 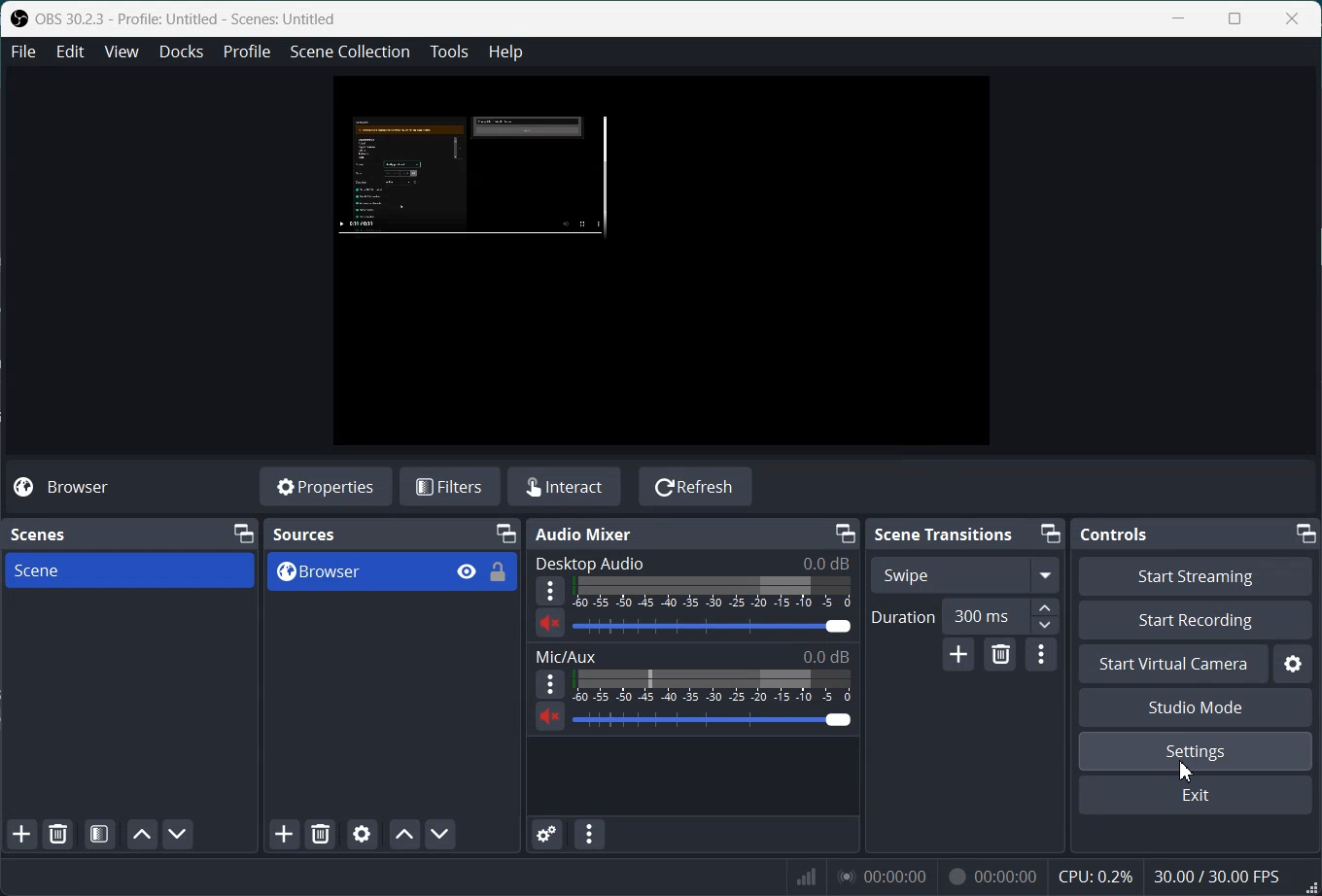 I want to click on Start streaming, so click(x=1196, y=575).